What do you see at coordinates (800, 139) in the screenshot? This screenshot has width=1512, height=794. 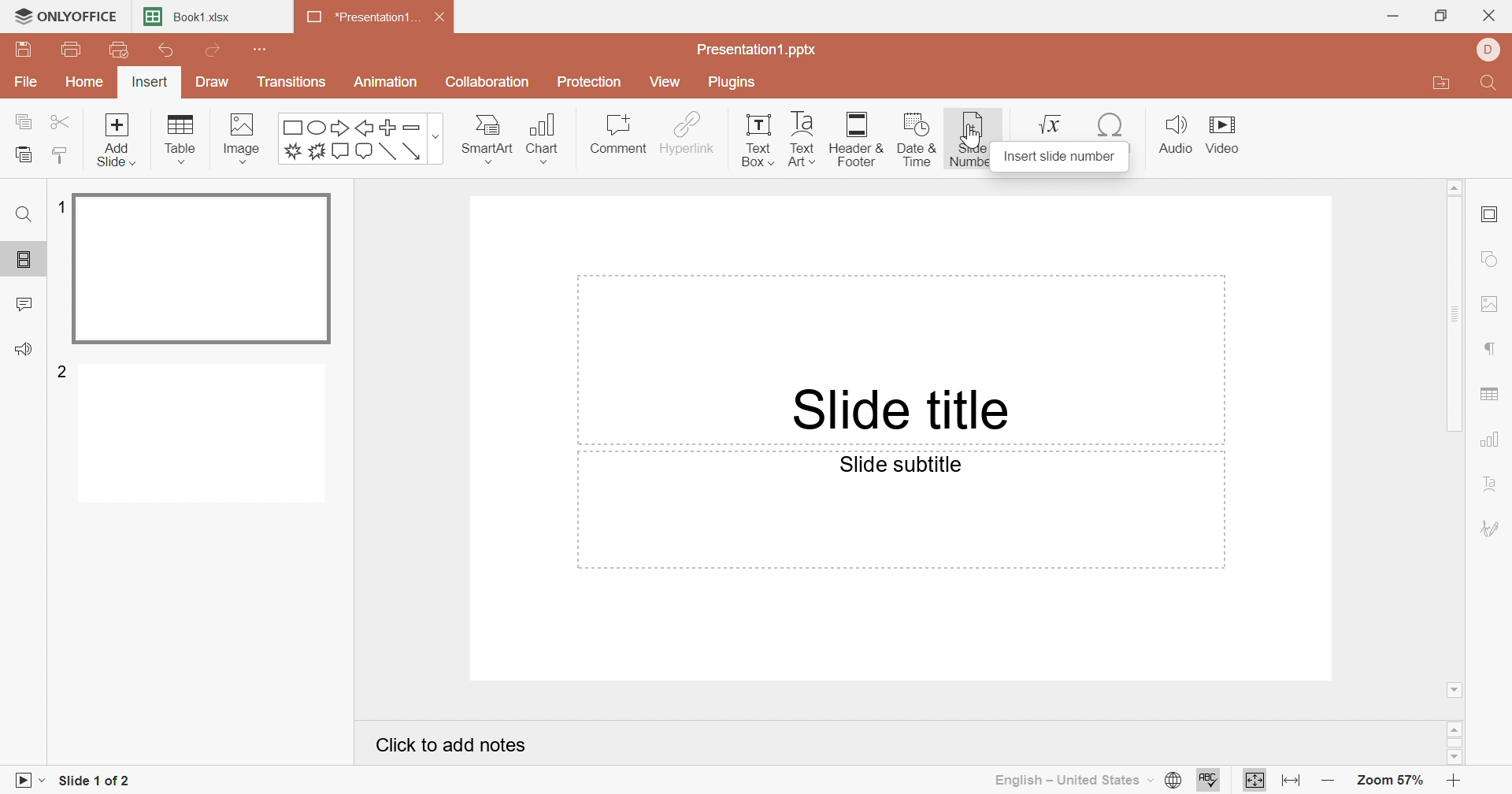 I see `Text Art` at bounding box center [800, 139].